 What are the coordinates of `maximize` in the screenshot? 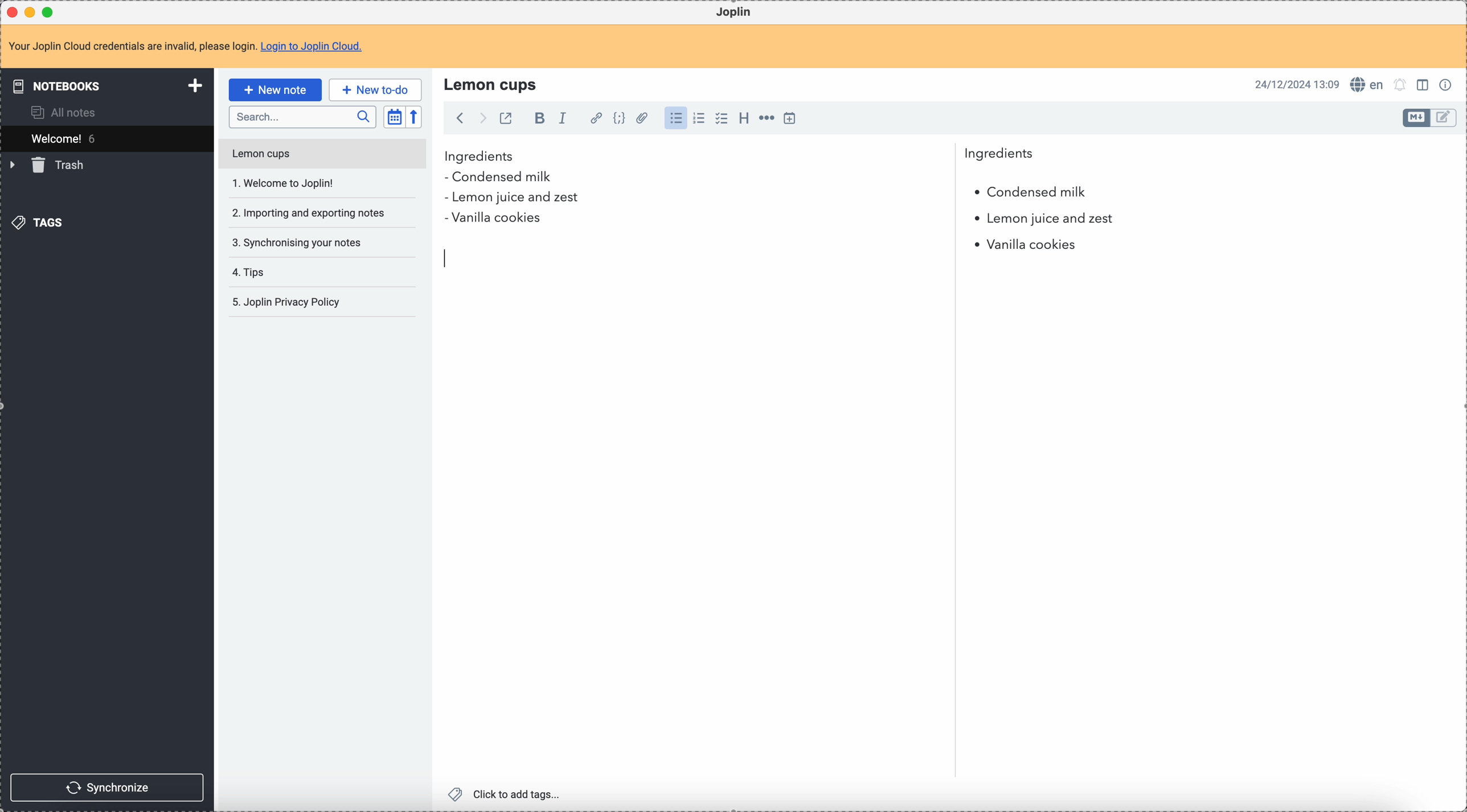 It's located at (51, 11).